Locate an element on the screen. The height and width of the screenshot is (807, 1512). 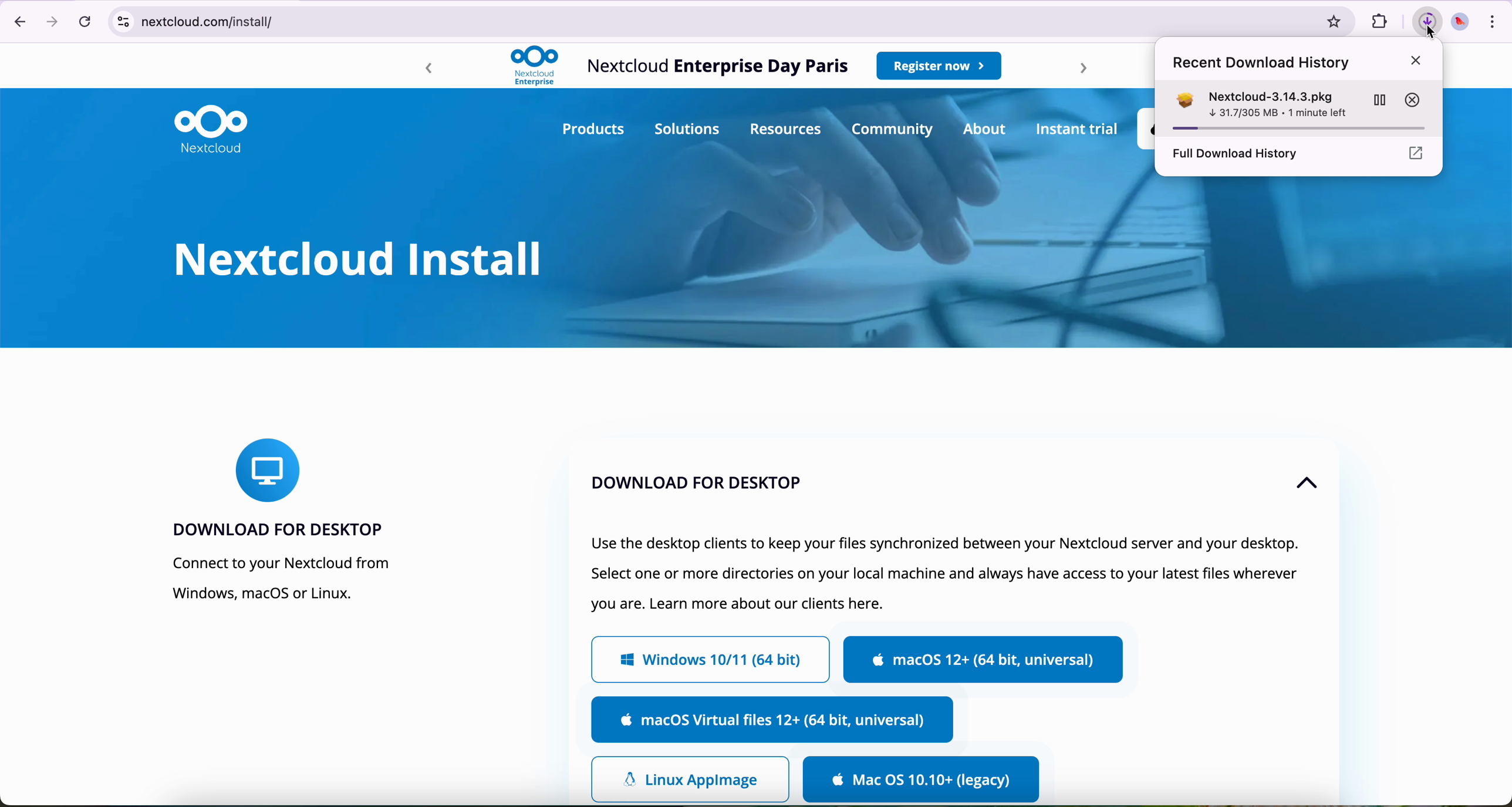
recent download history is located at coordinates (1301, 63).